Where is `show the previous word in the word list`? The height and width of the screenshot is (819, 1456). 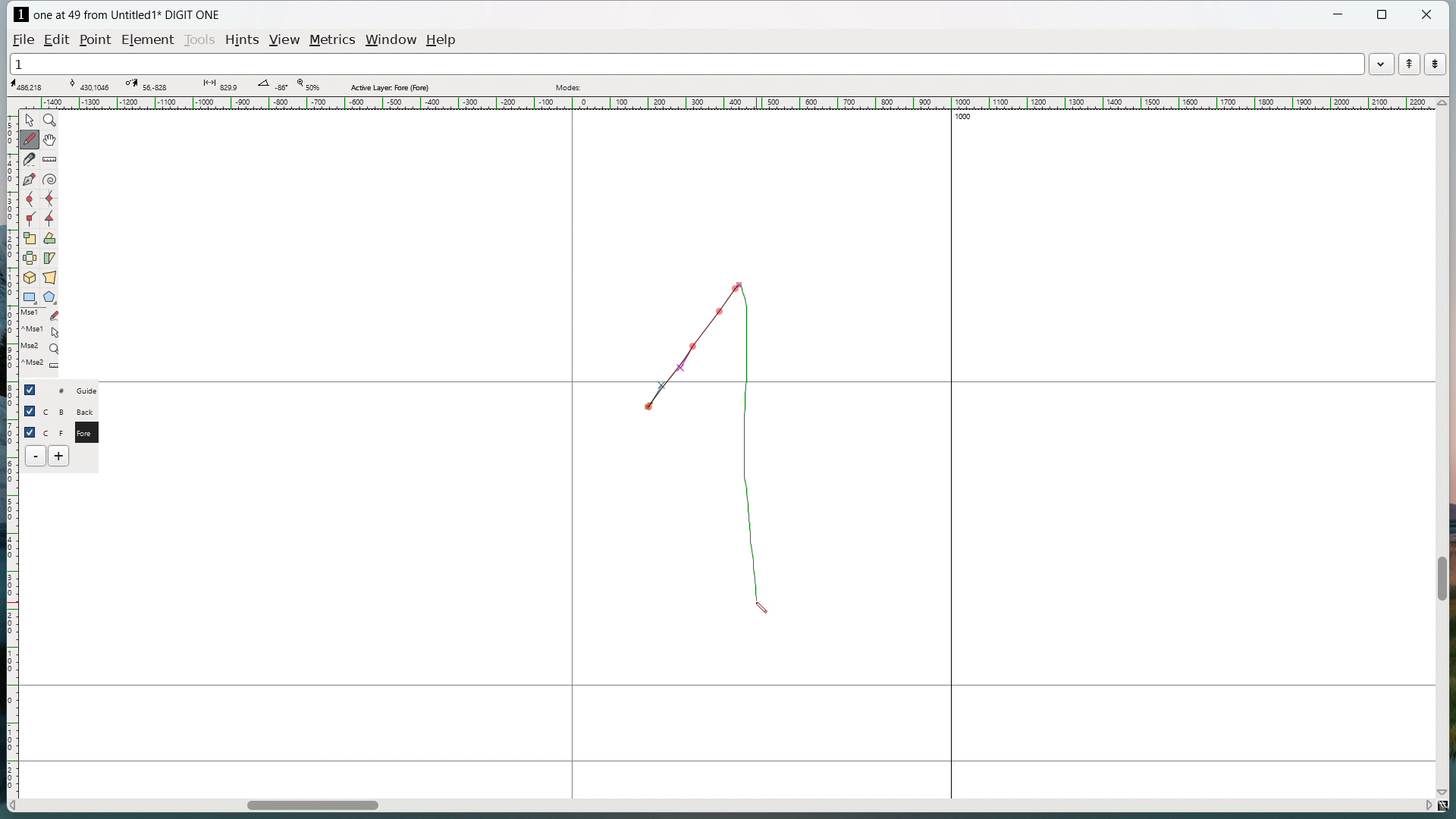
show the previous word in the word list is located at coordinates (1409, 64).